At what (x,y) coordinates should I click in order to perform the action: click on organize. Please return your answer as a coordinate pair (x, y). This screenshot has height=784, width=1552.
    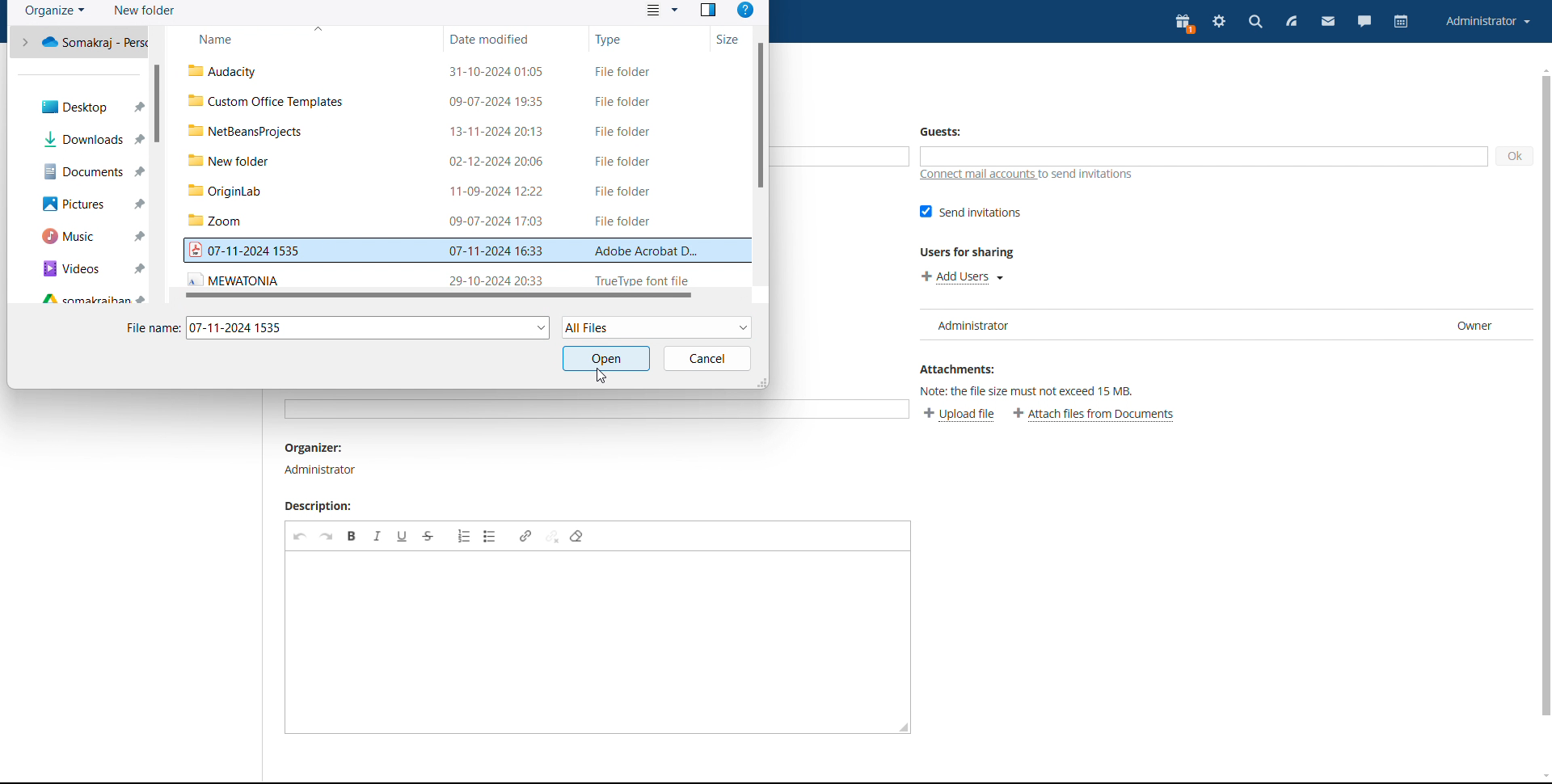
    Looking at the image, I should click on (54, 11).